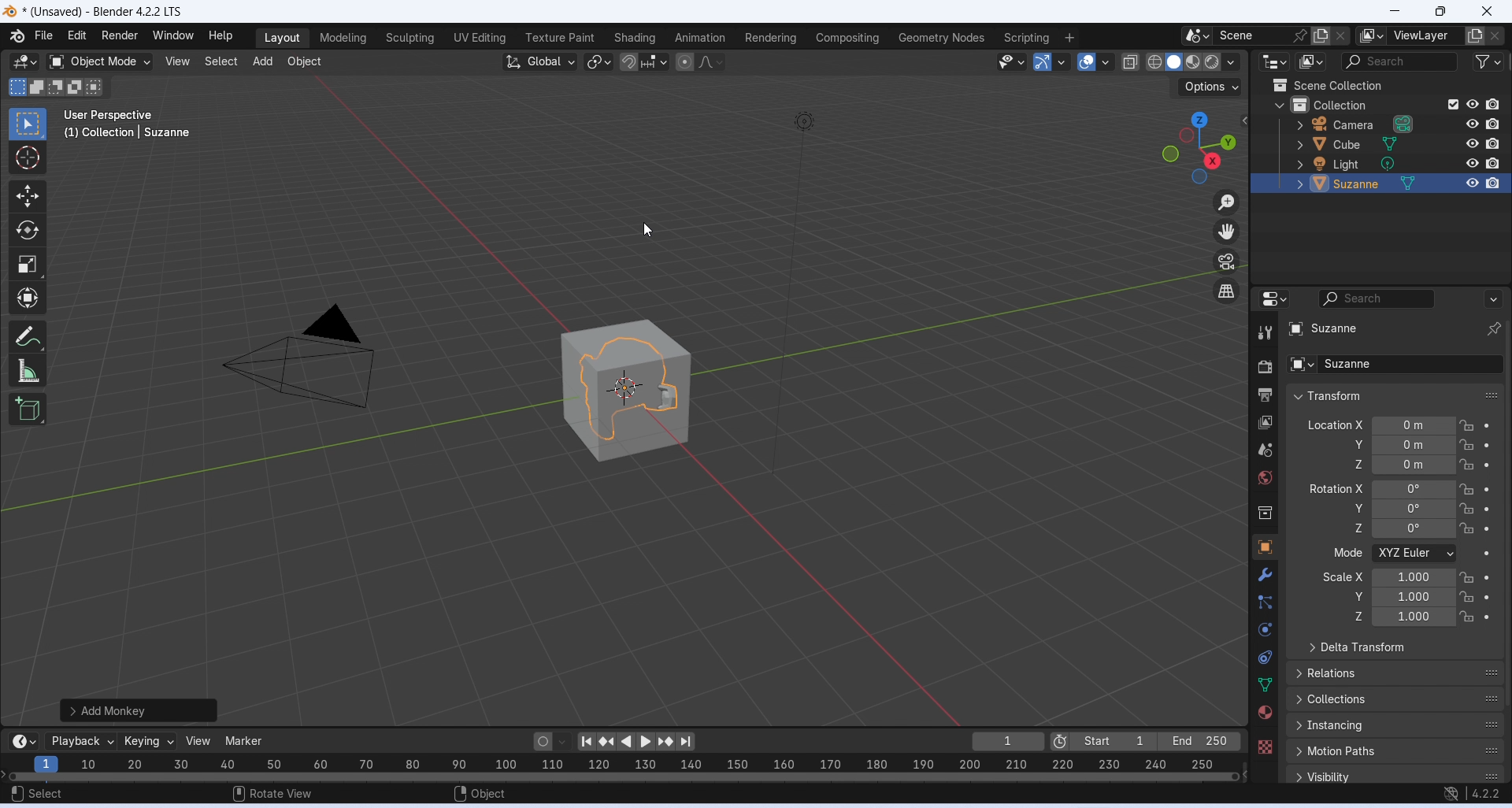  I want to click on suzanne selected layer, so click(1382, 330).